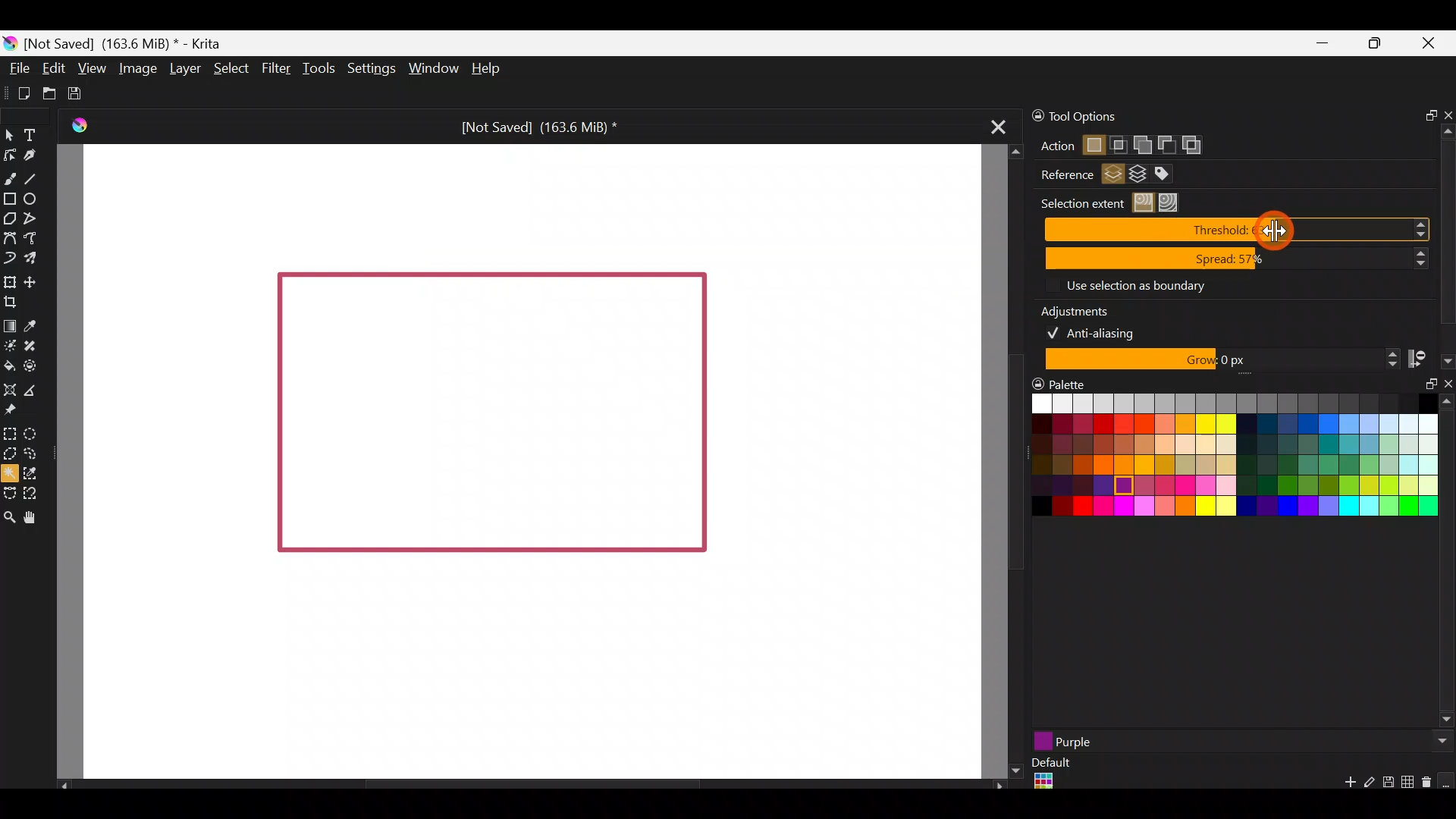  I want to click on Enclose & fill tool, so click(36, 366).